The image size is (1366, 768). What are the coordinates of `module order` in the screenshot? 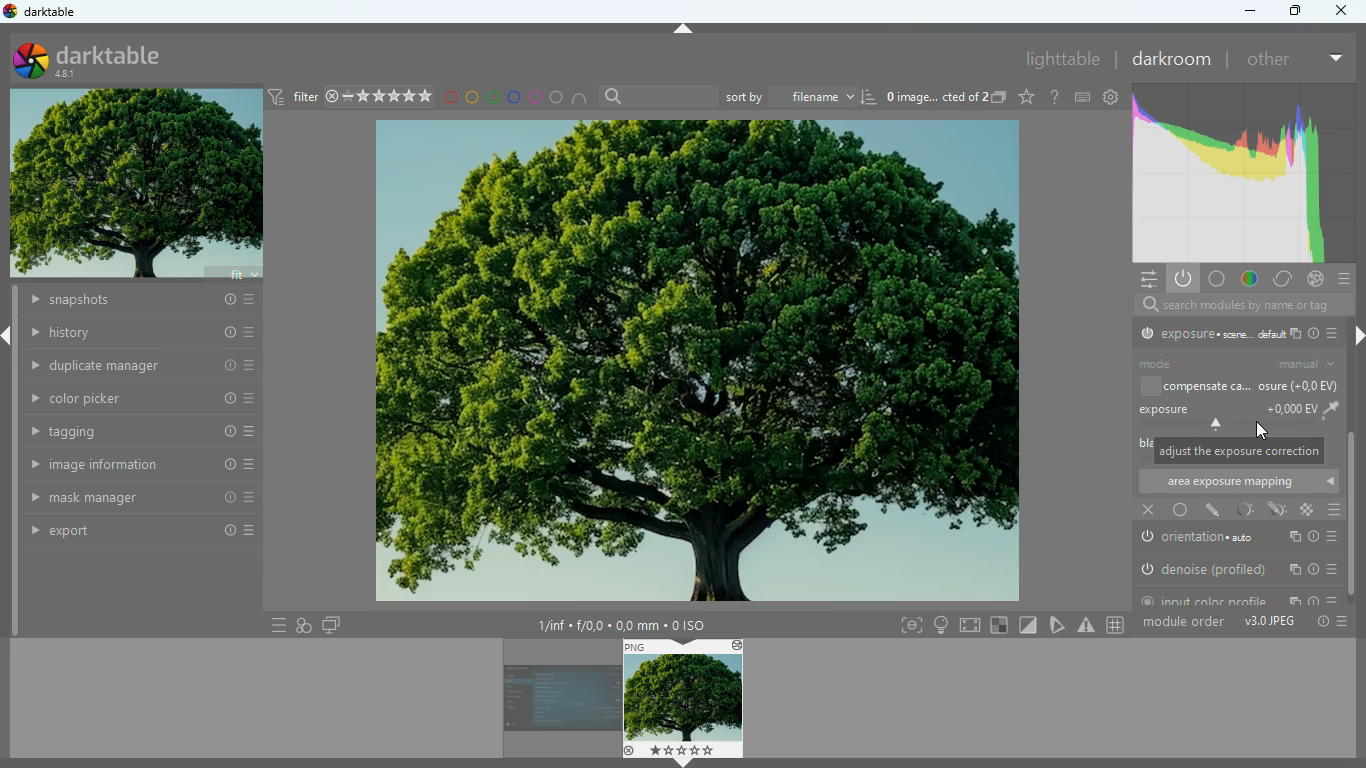 It's located at (1185, 622).